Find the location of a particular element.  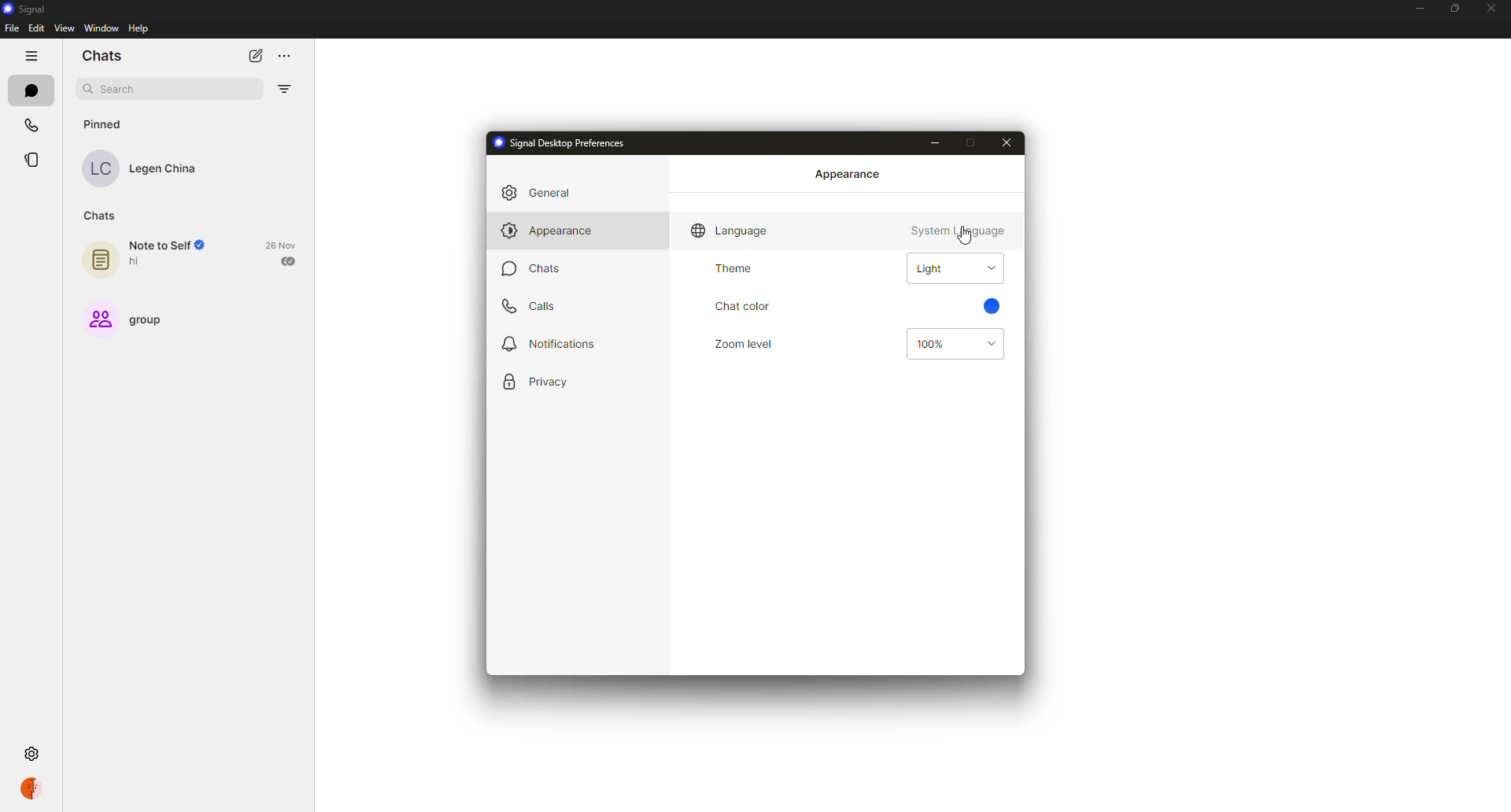

language is located at coordinates (730, 231).